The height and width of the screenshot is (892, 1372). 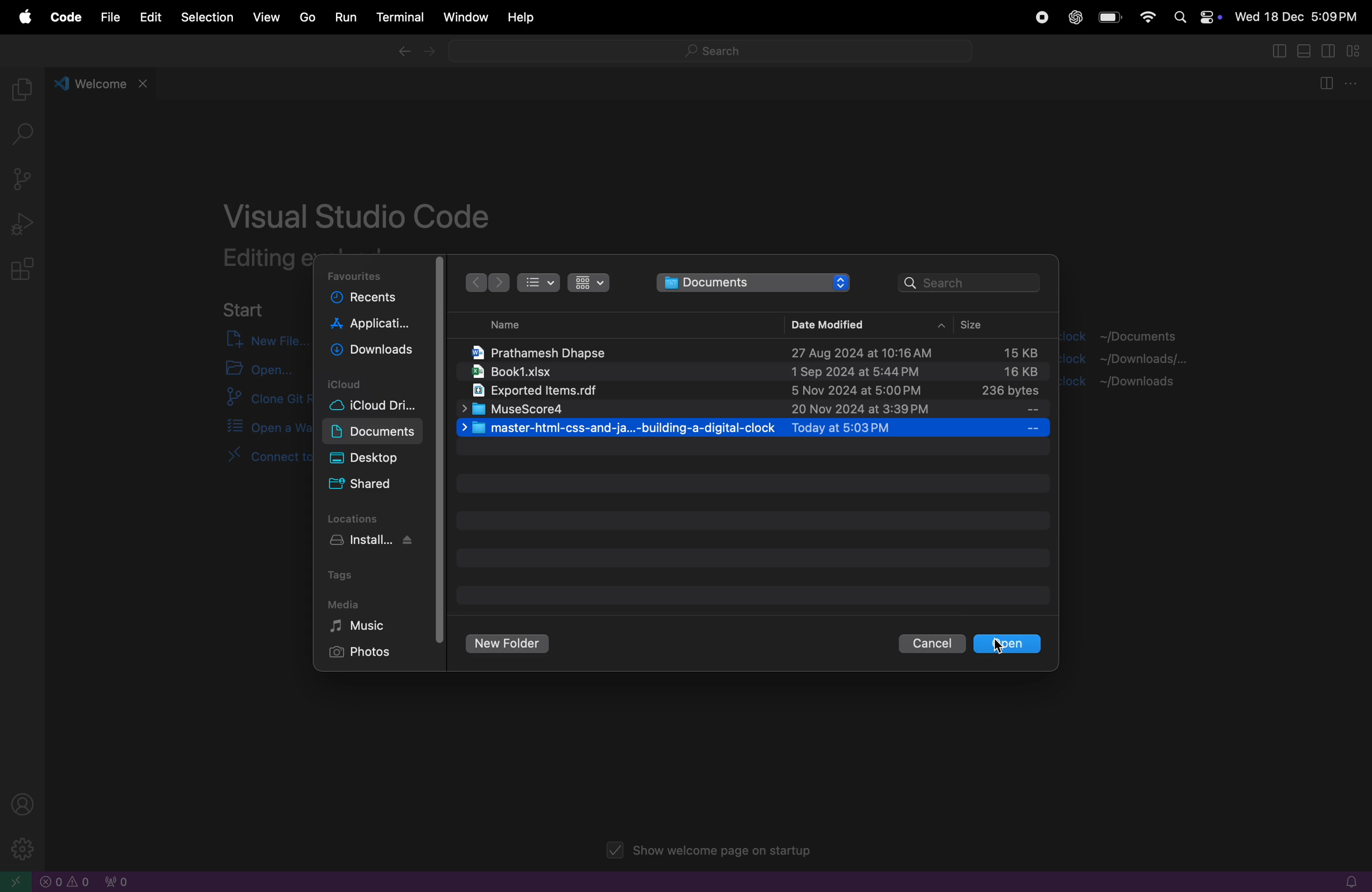 I want to click on selection, so click(x=207, y=18).